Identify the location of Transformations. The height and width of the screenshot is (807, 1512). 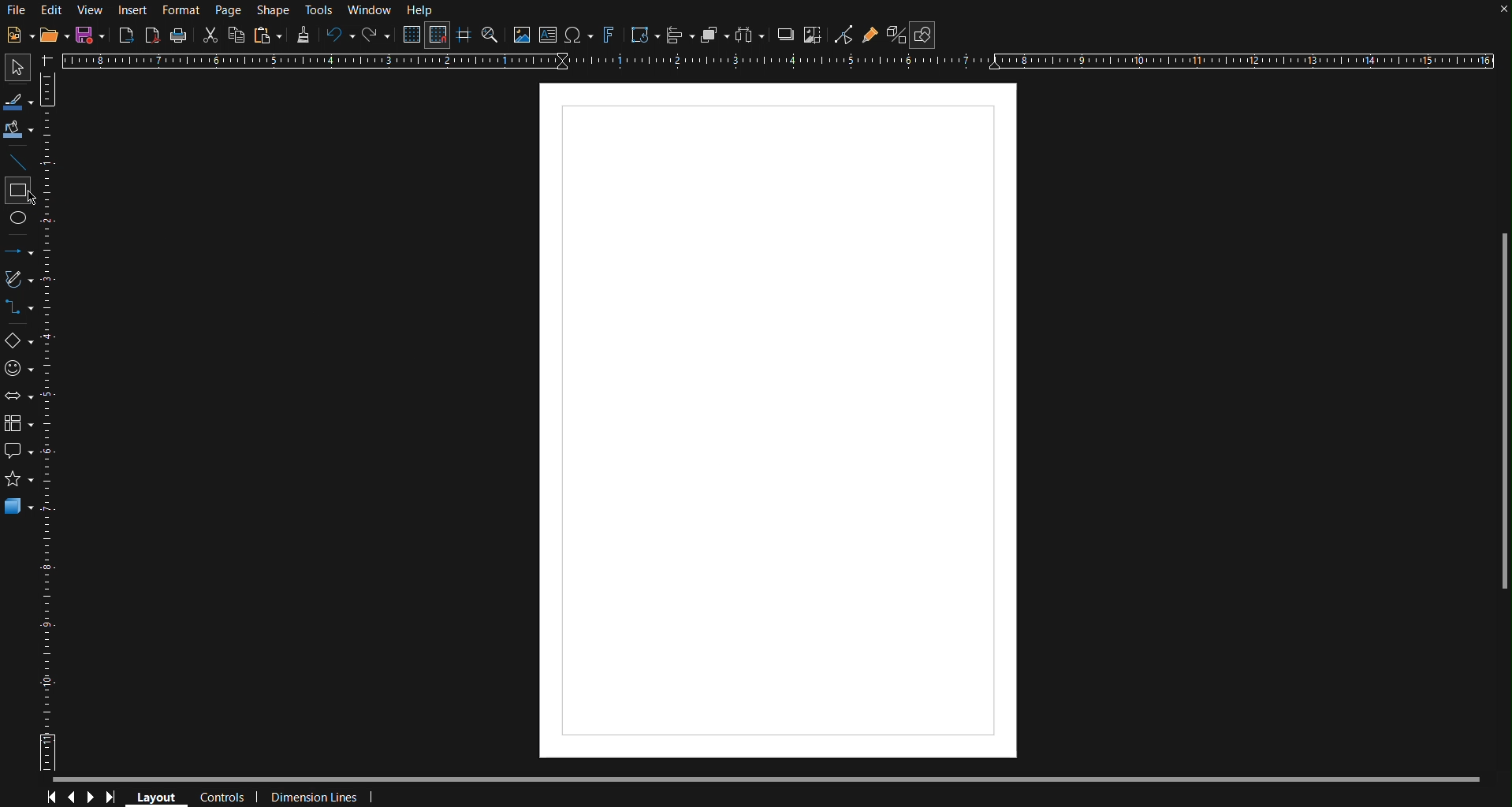
(643, 35).